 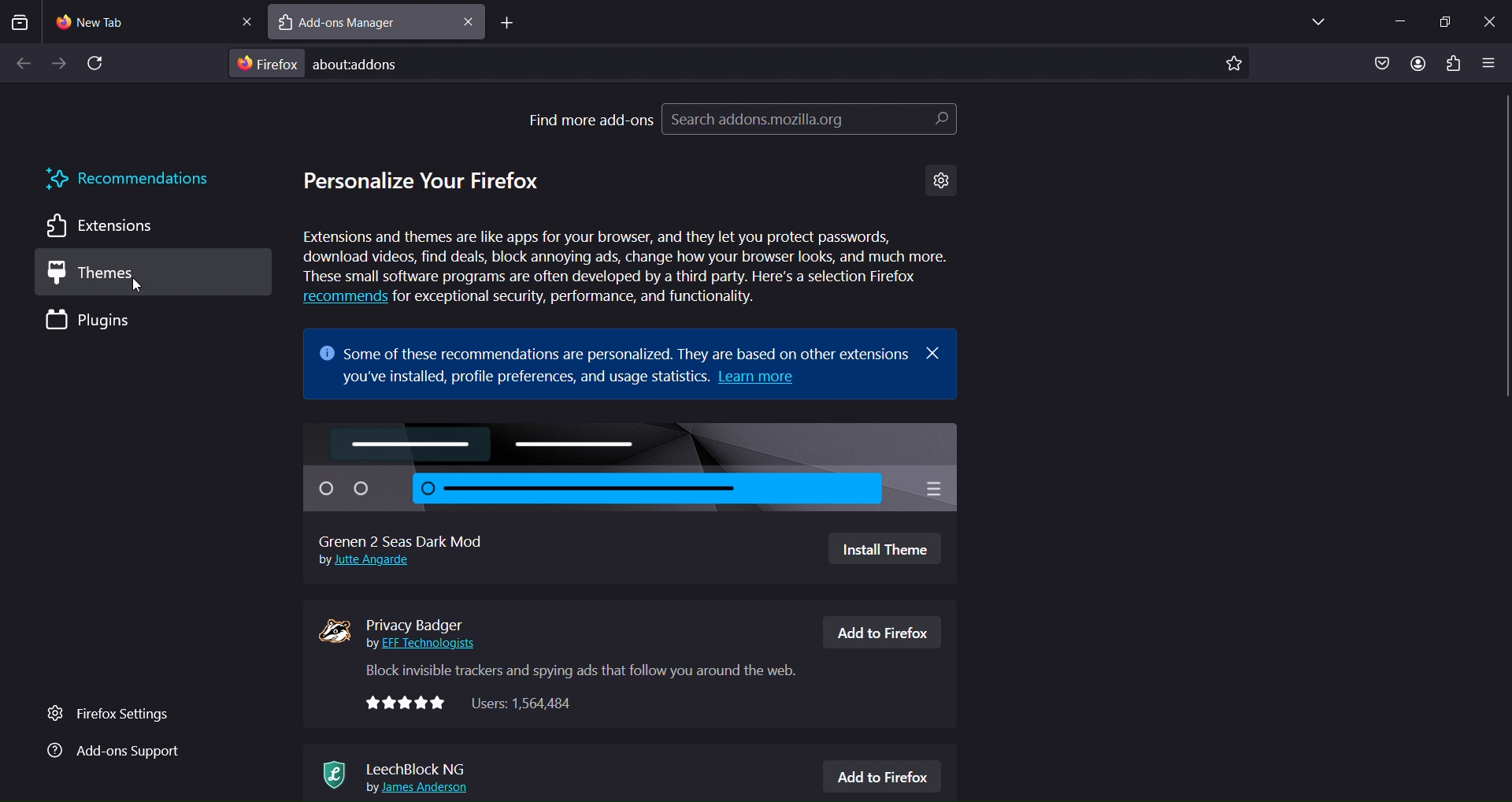 I want to click on recommendations, so click(x=128, y=179).